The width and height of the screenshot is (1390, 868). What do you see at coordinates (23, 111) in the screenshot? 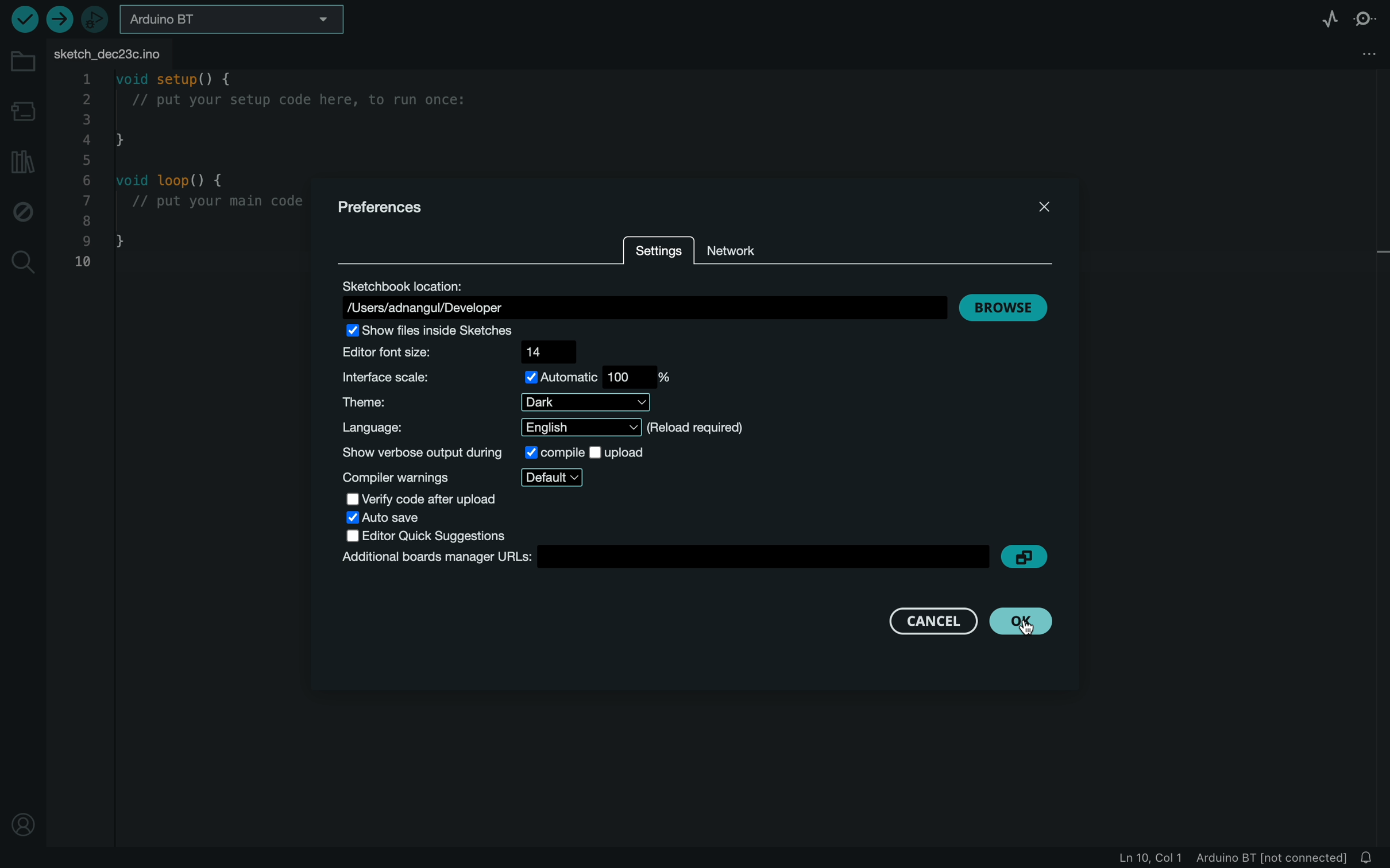
I see `board manager` at bounding box center [23, 111].